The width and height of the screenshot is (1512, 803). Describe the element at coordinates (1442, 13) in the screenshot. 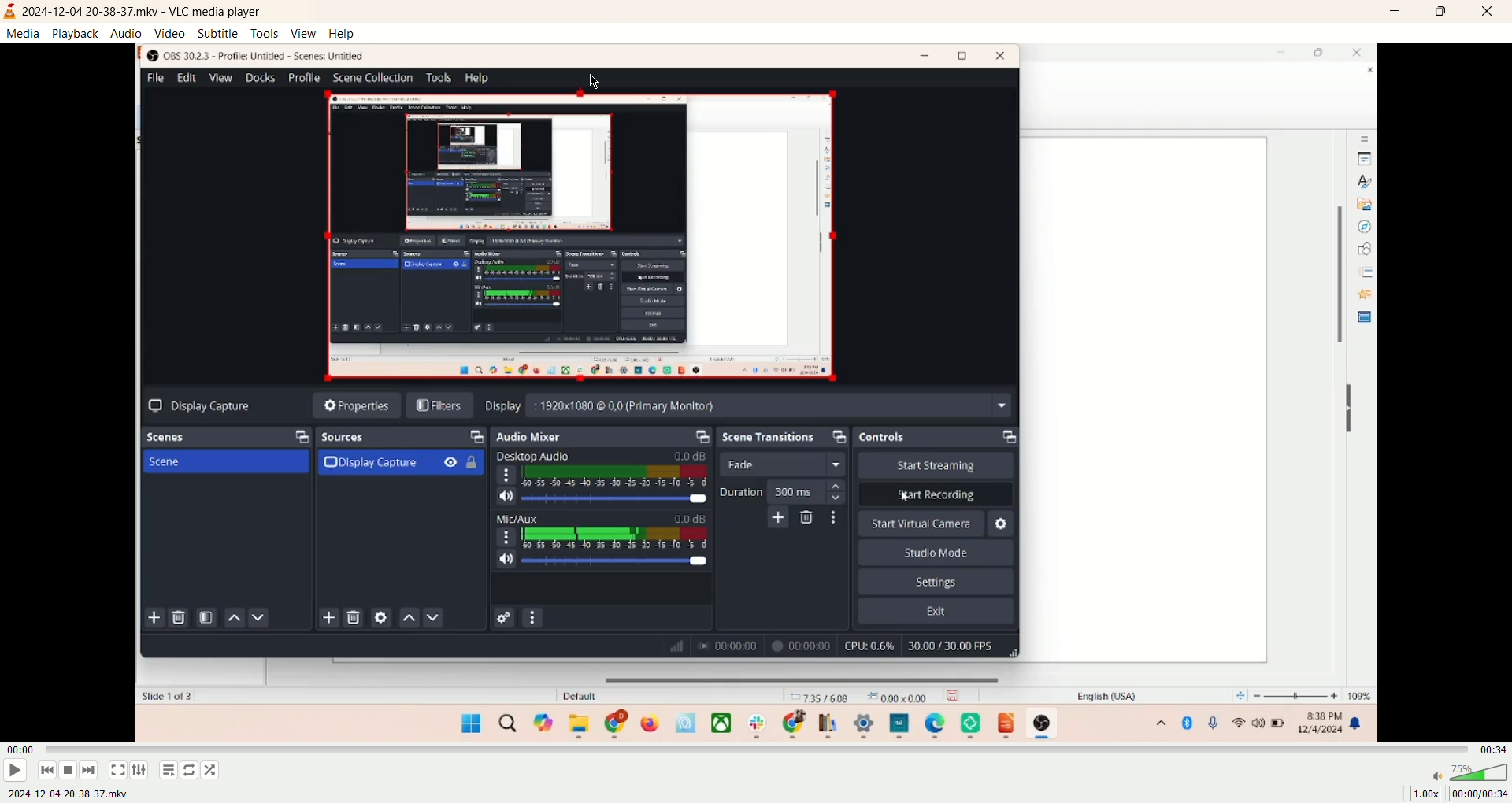

I see `maximize` at that location.